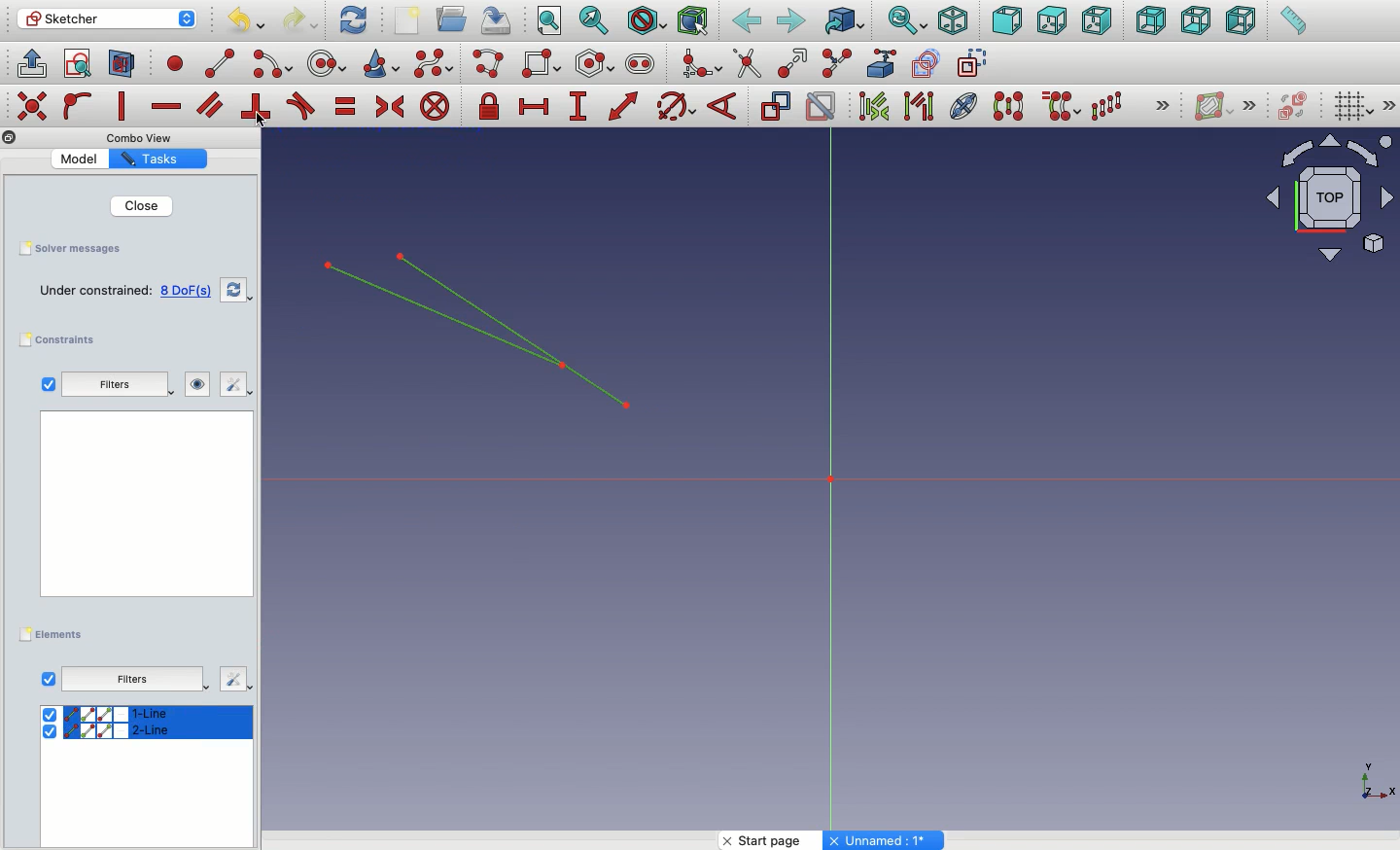  Describe the element at coordinates (1291, 22) in the screenshot. I see `Measure` at that location.